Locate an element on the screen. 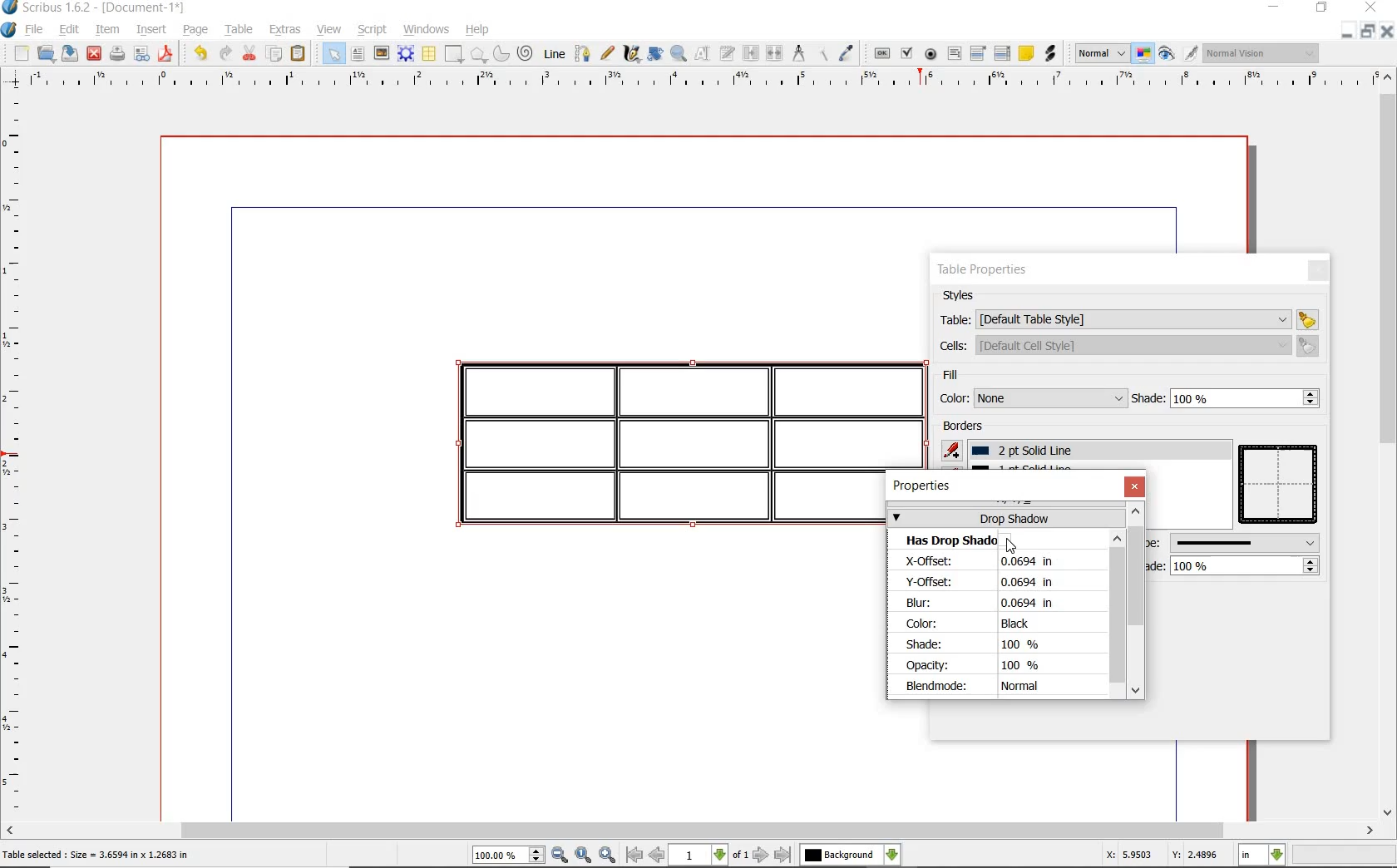 This screenshot has height=868, width=1397. X-Offset: 0.0694 in is located at coordinates (996, 562).